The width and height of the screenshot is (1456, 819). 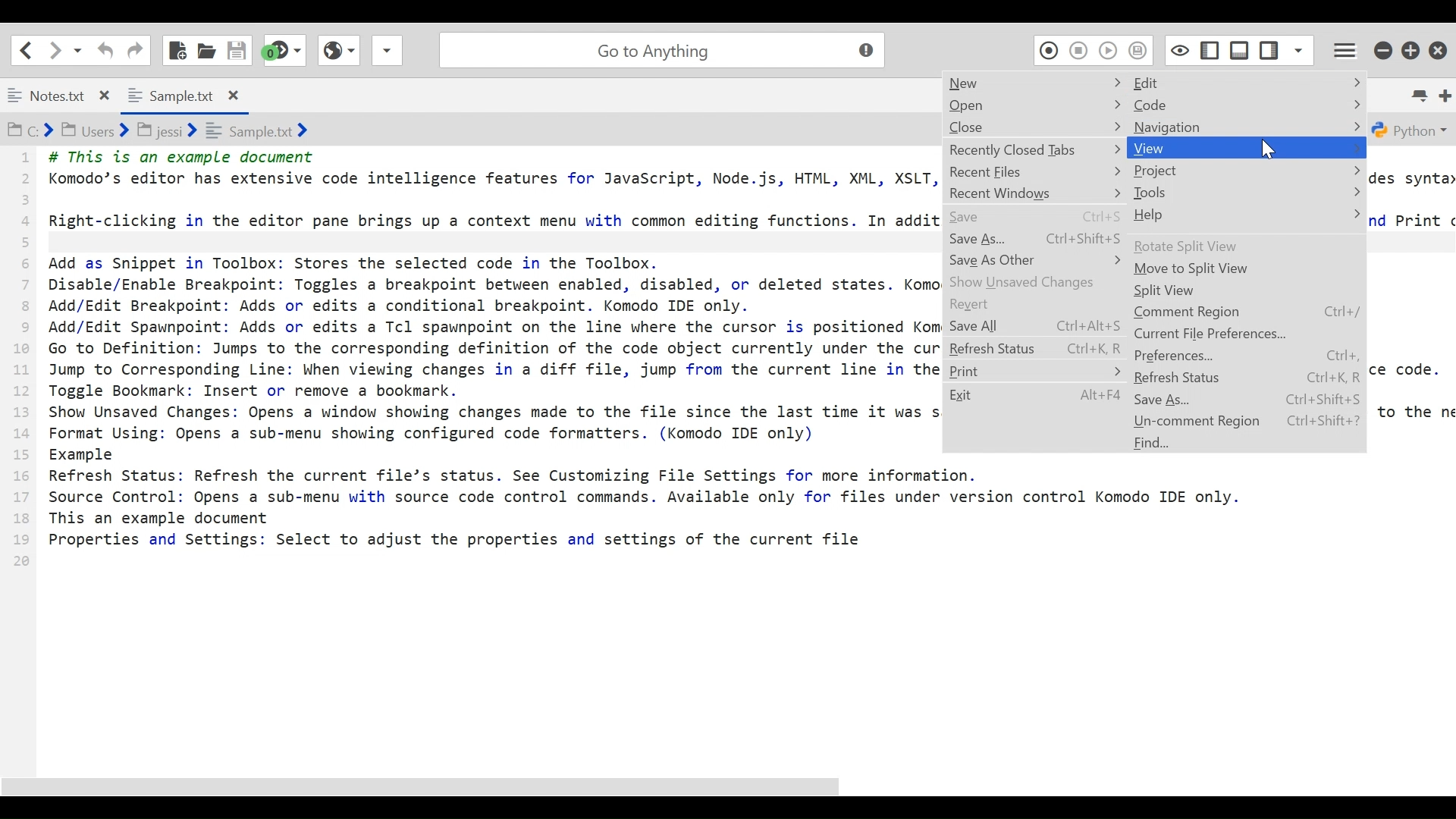 What do you see at coordinates (1180, 49) in the screenshot?
I see `Toggle focus mode` at bounding box center [1180, 49].